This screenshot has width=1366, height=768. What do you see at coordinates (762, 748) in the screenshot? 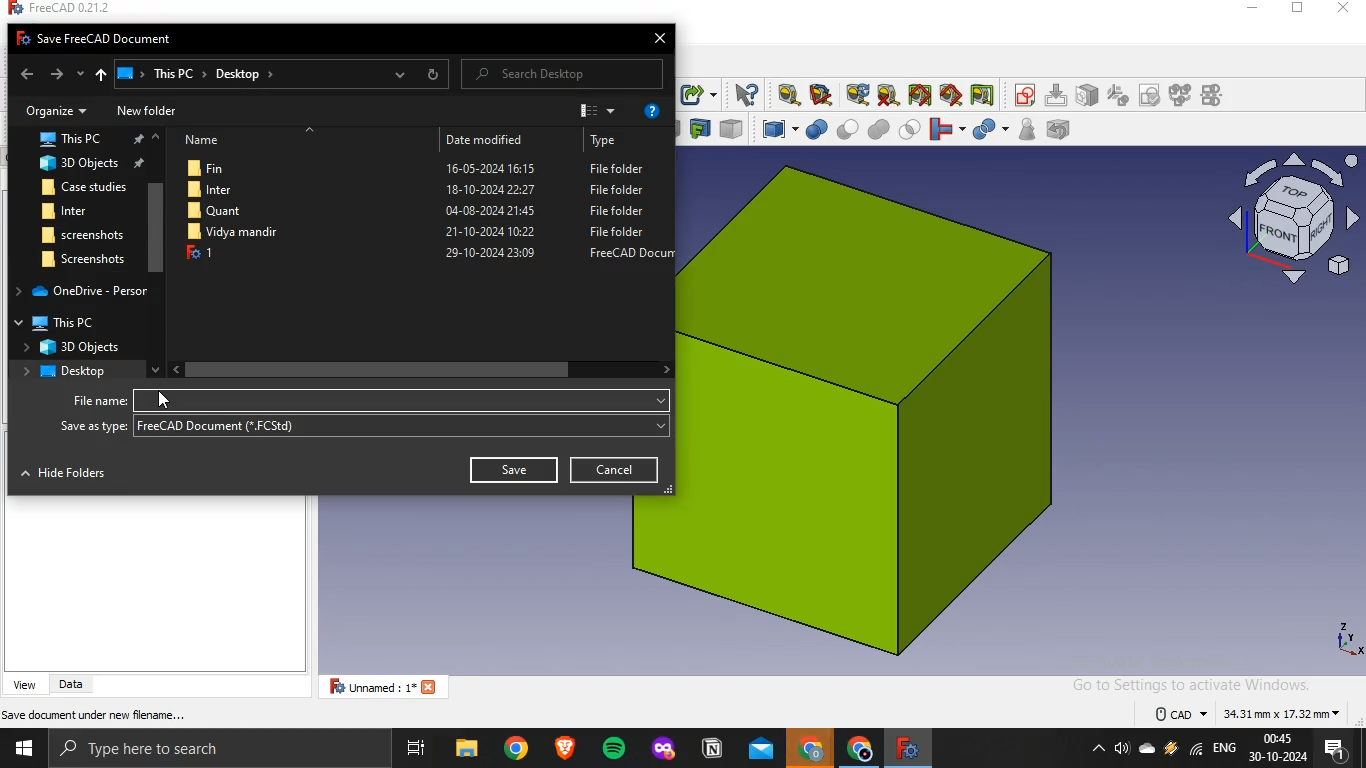
I see `outlook` at bounding box center [762, 748].